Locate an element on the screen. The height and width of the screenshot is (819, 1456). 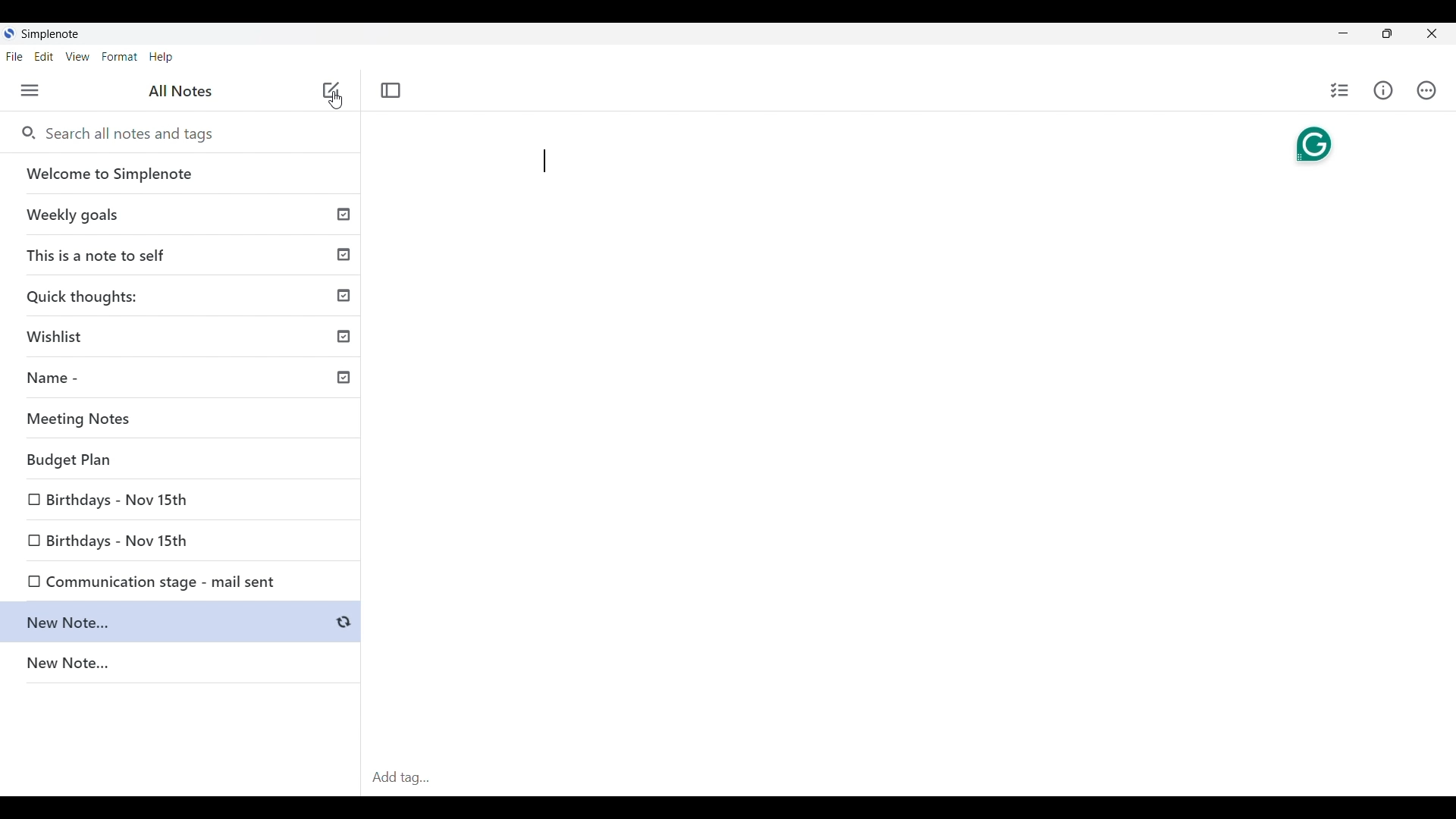
Birthdays - Nov 15th is located at coordinates (119, 538).